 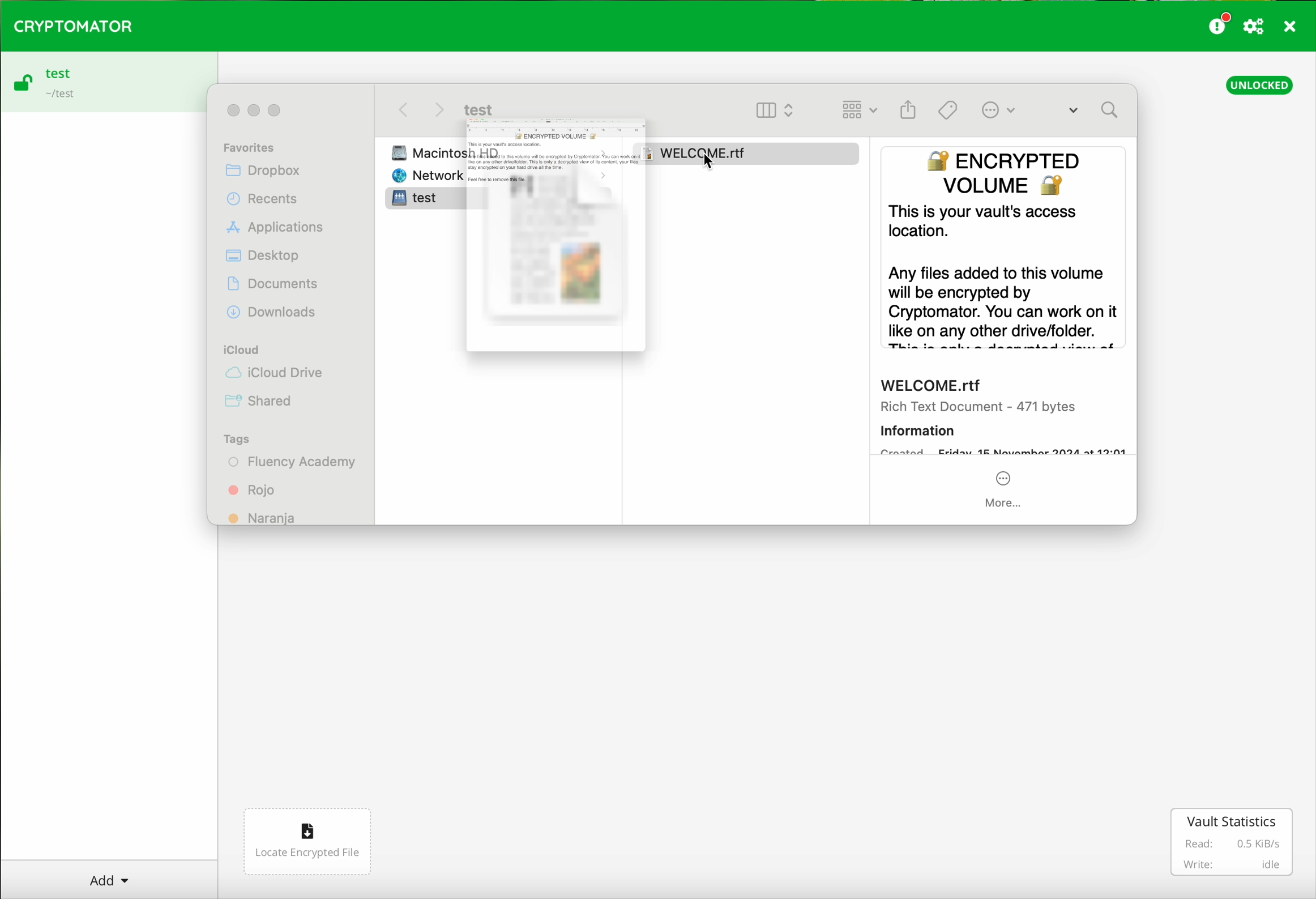 What do you see at coordinates (263, 515) in the screenshot?
I see `Naranja` at bounding box center [263, 515].